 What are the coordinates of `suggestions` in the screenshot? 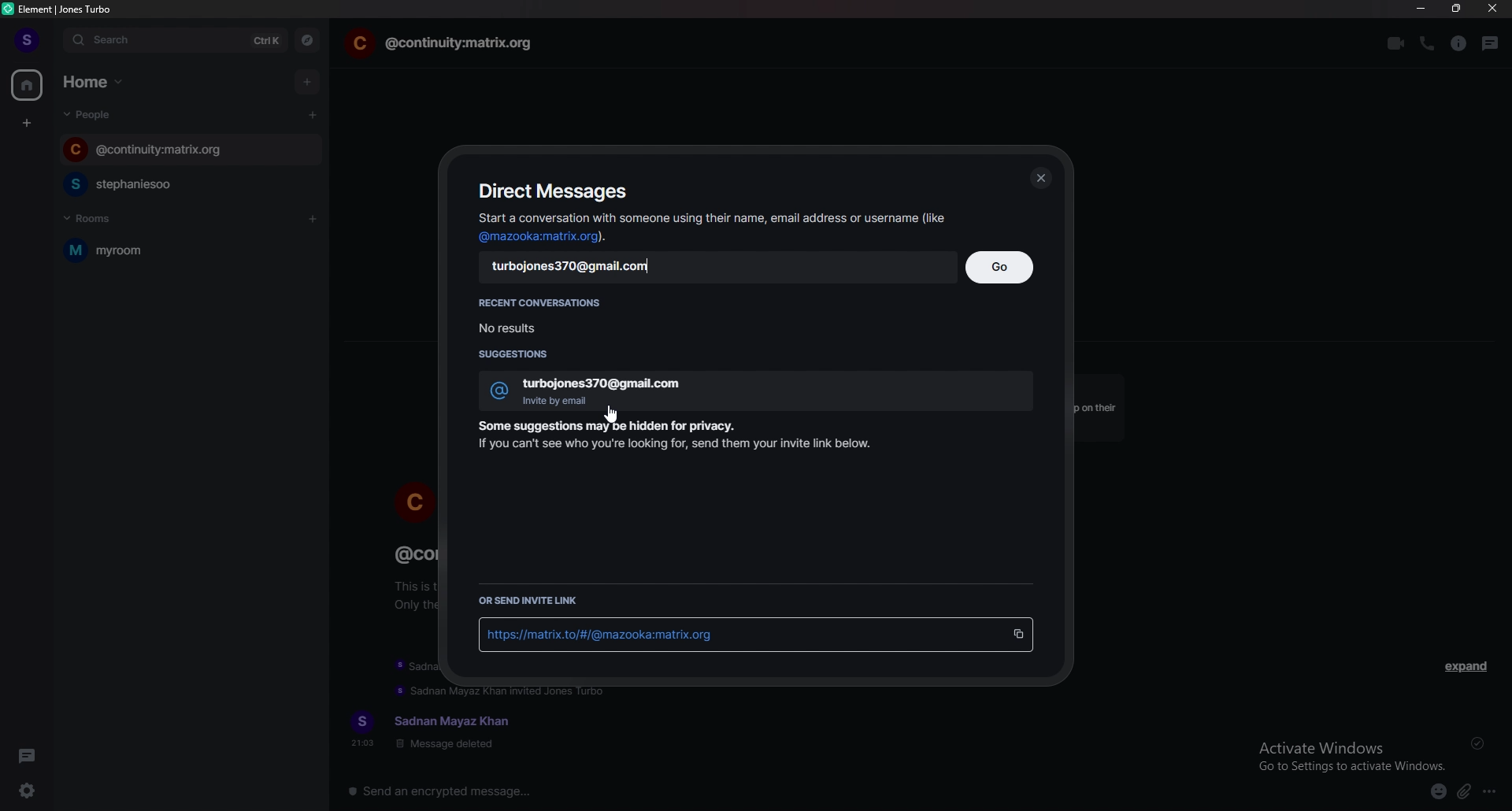 It's located at (524, 355).